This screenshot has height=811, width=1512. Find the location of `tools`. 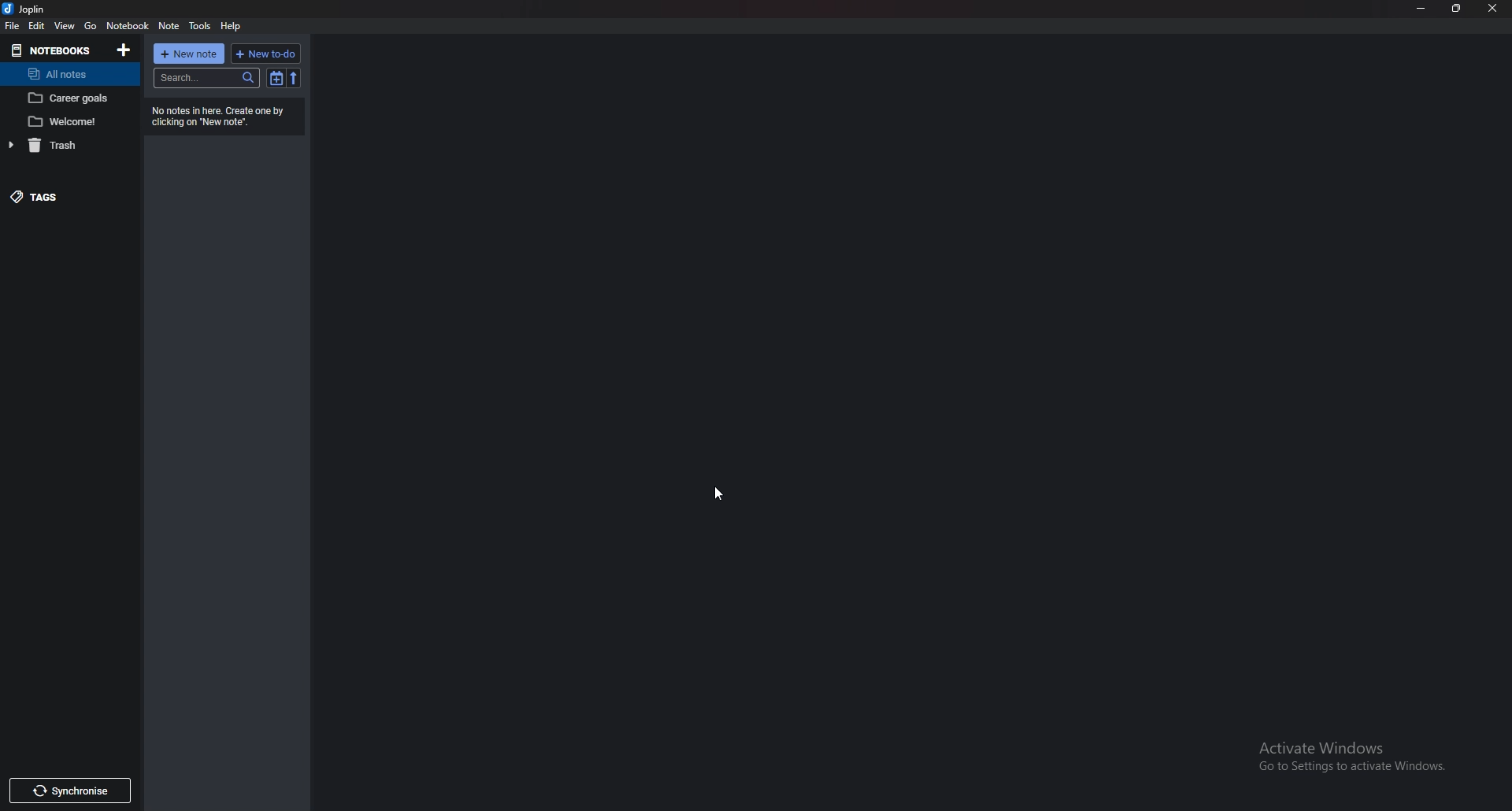

tools is located at coordinates (201, 25).